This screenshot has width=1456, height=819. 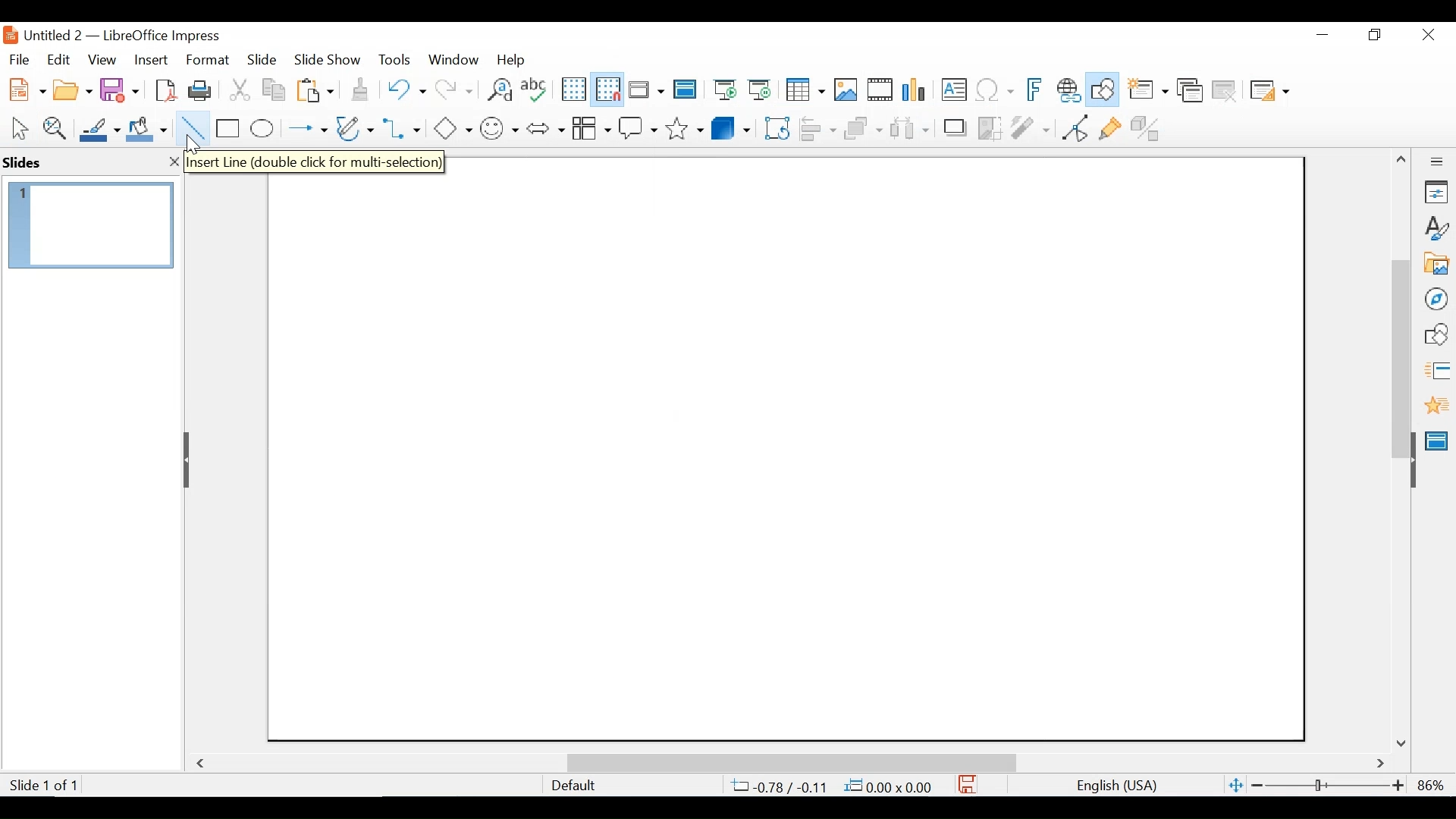 What do you see at coordinates (17, 127) in the screenshot?
I see `Select` at bounding box center [17, 127].